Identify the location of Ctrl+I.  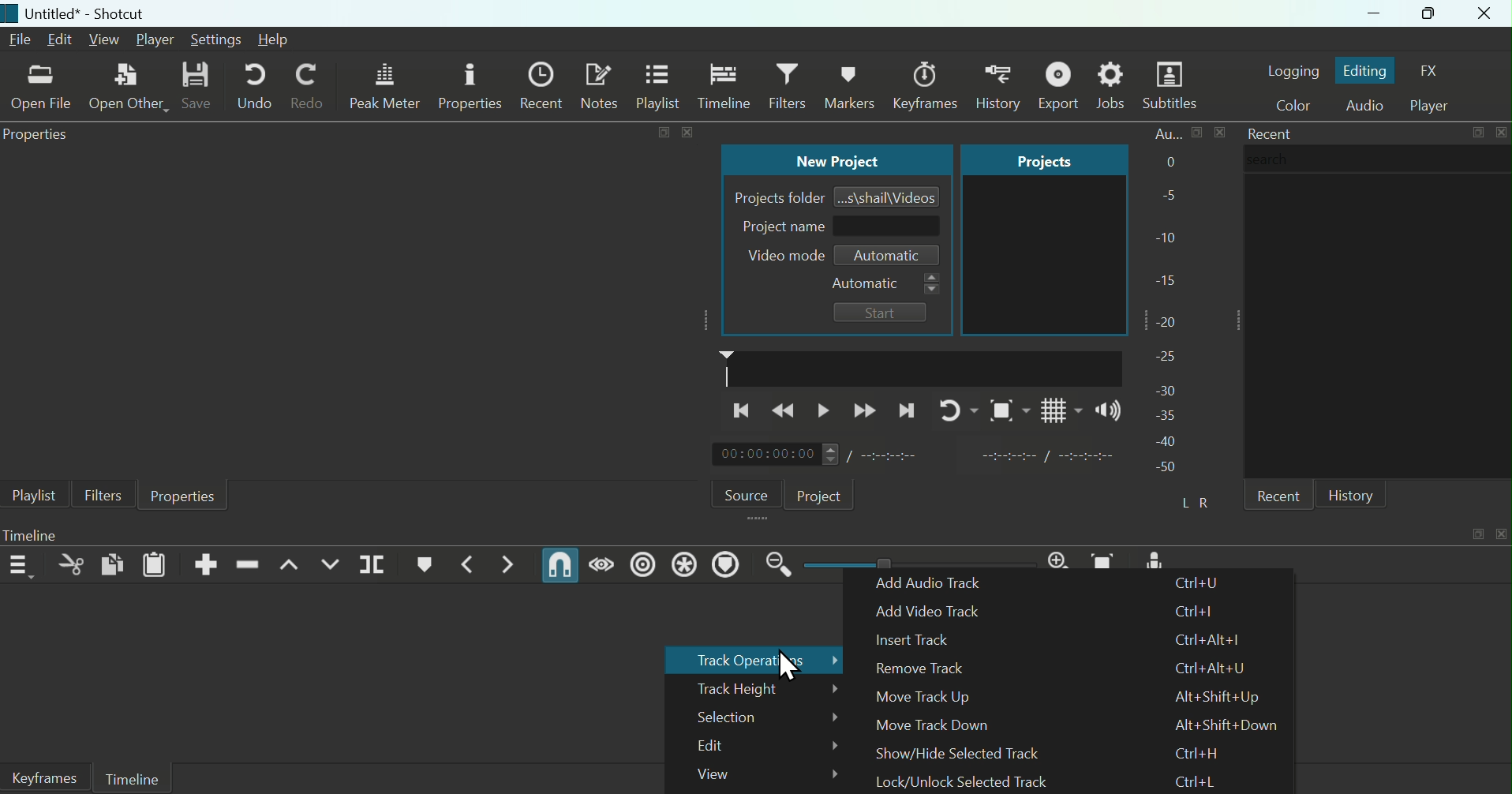
(1201, 612).